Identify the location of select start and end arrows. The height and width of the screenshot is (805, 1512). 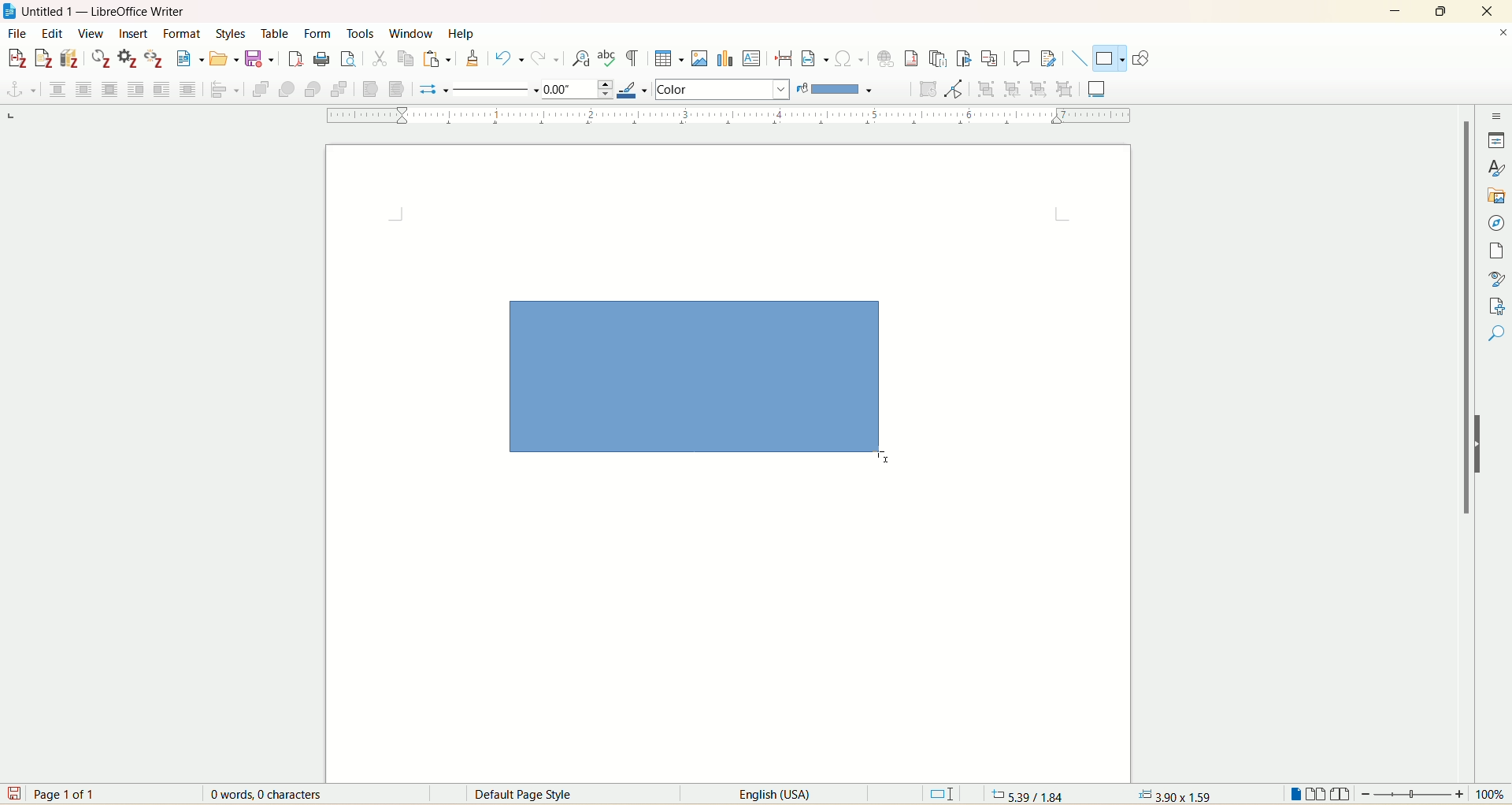
(435, 90).